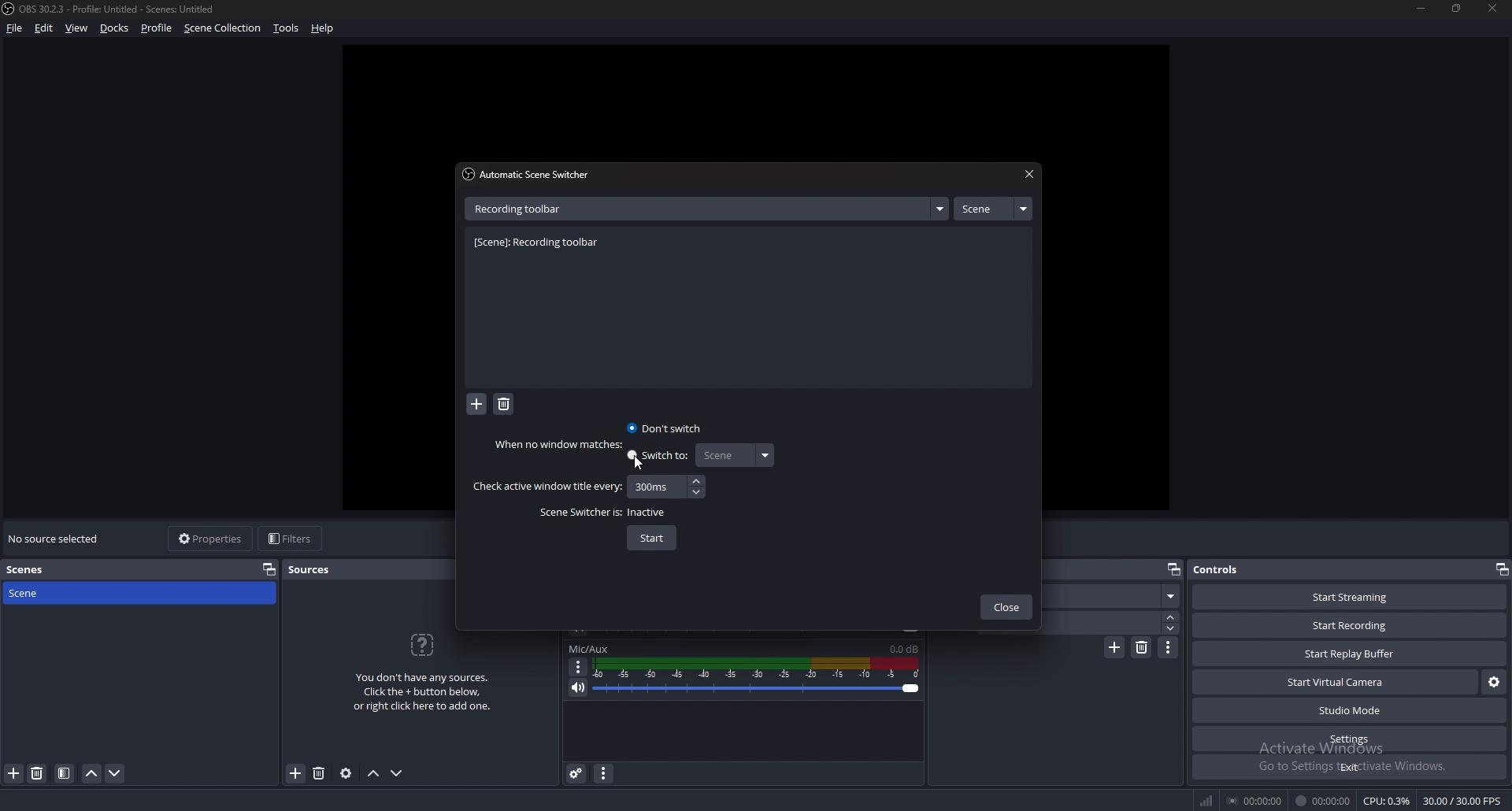 The height and width of the screenshot is (811, 1512). Describe the element at coordinates (1501, 569) in the screenshot. I see `pop out` at that location.